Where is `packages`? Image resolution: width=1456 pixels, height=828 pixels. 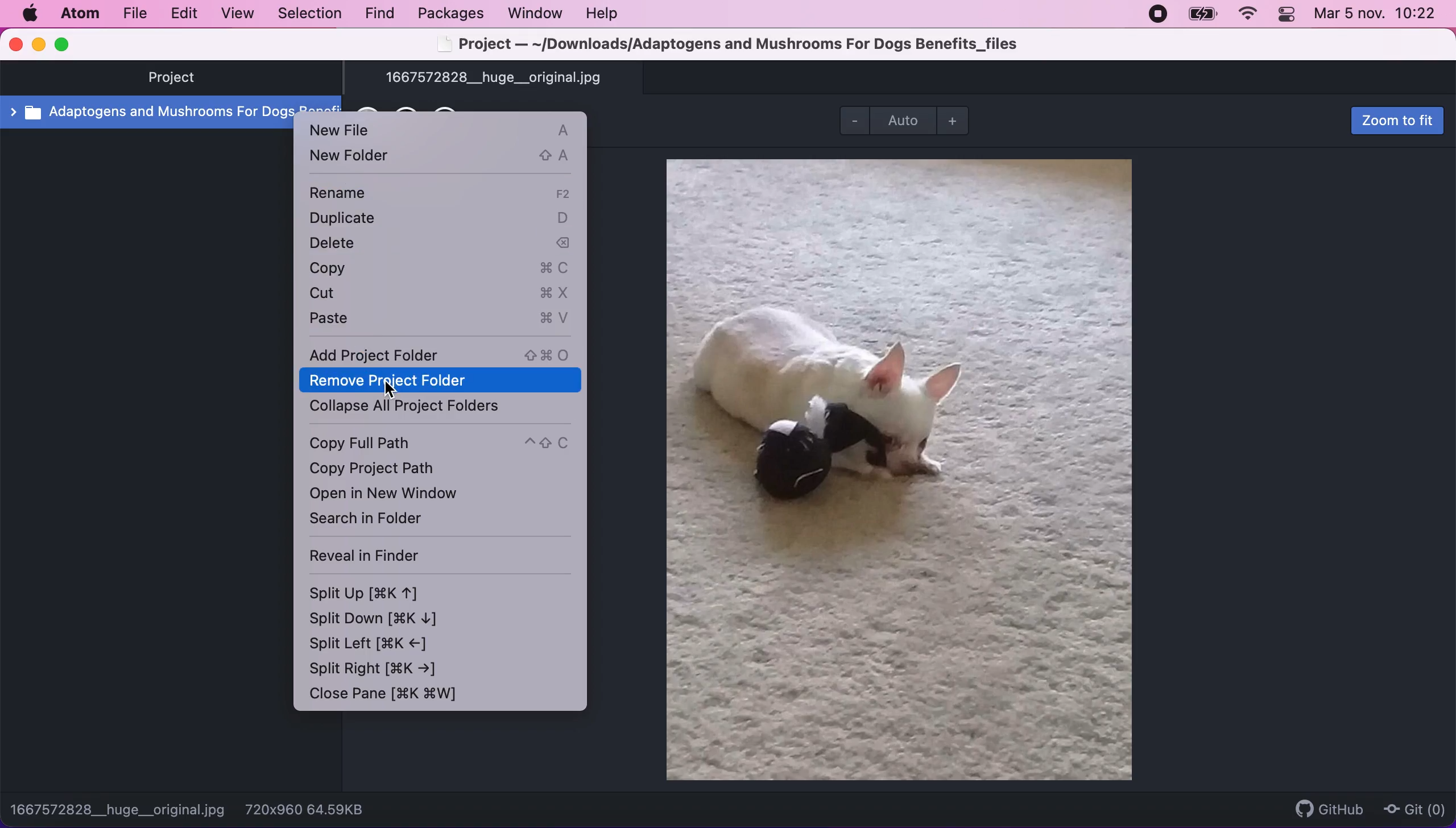
packages is located at coordinates (448, 14).